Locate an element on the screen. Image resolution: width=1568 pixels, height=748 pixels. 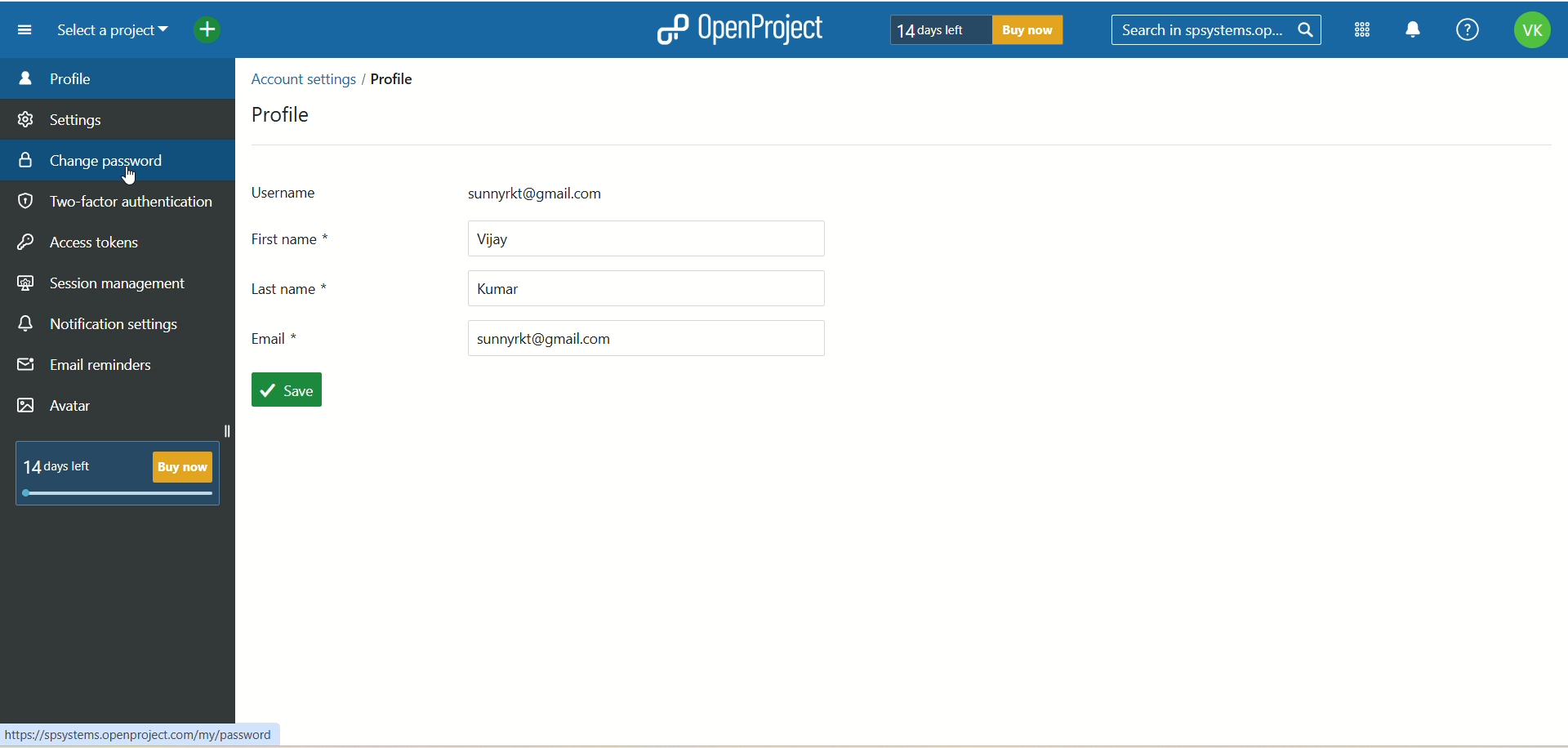
help is located at coordinates (1463, 31).